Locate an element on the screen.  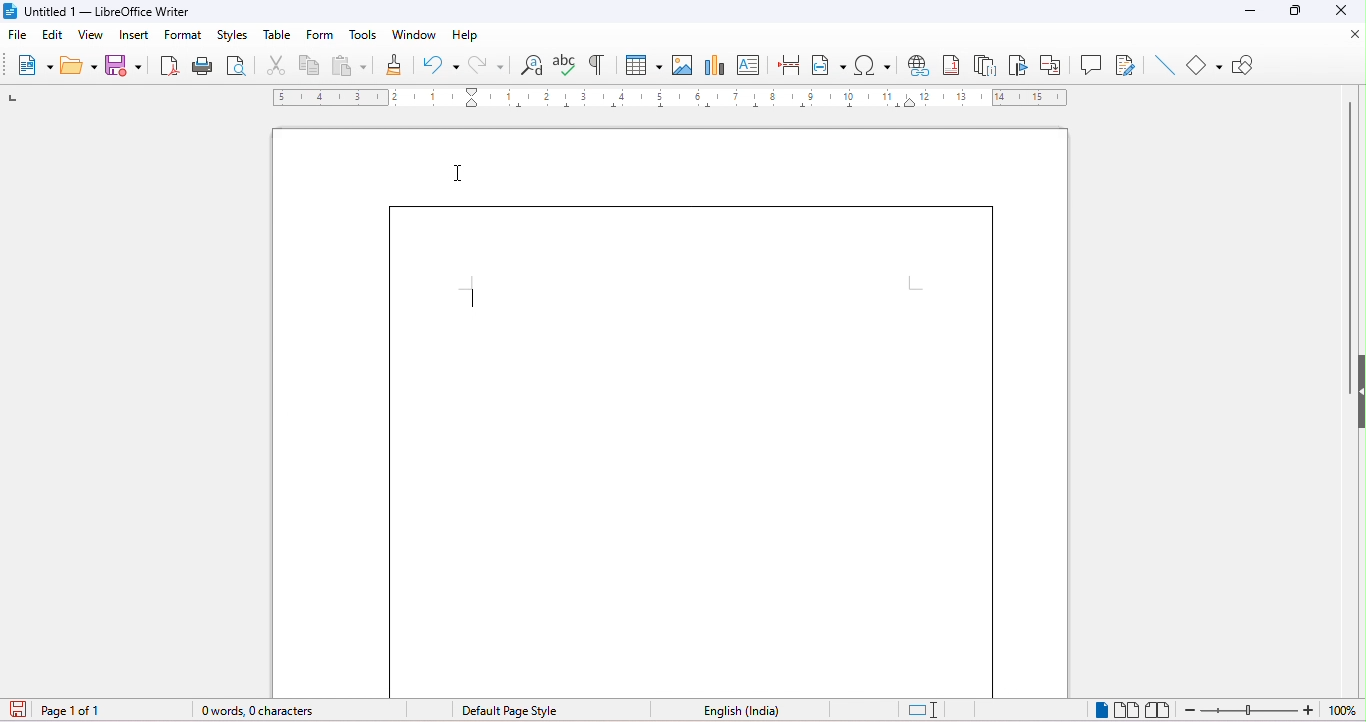
chart is located at coordinates (715, 64).